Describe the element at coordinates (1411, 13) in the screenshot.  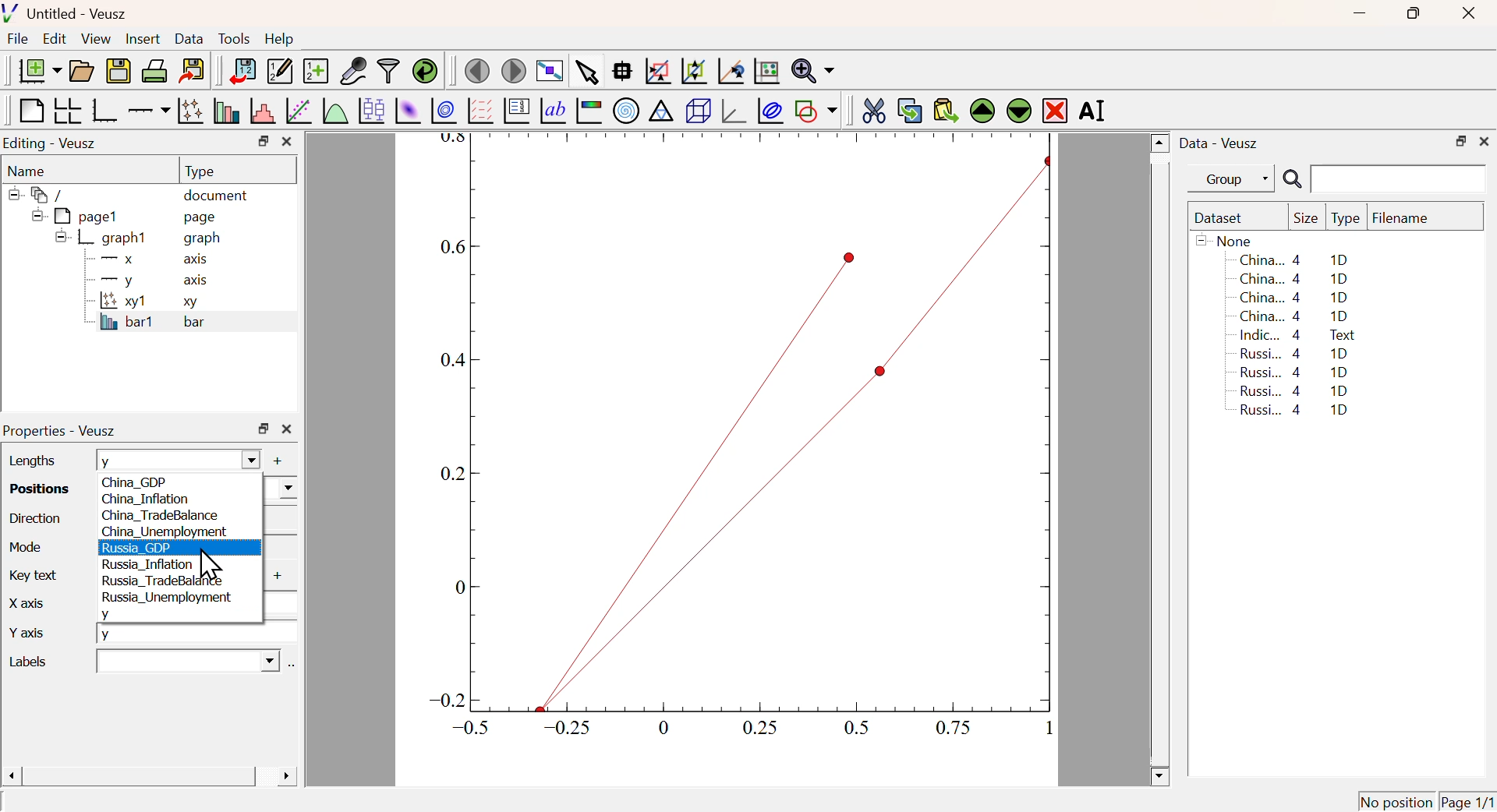
I see `Restore Down` at that location.